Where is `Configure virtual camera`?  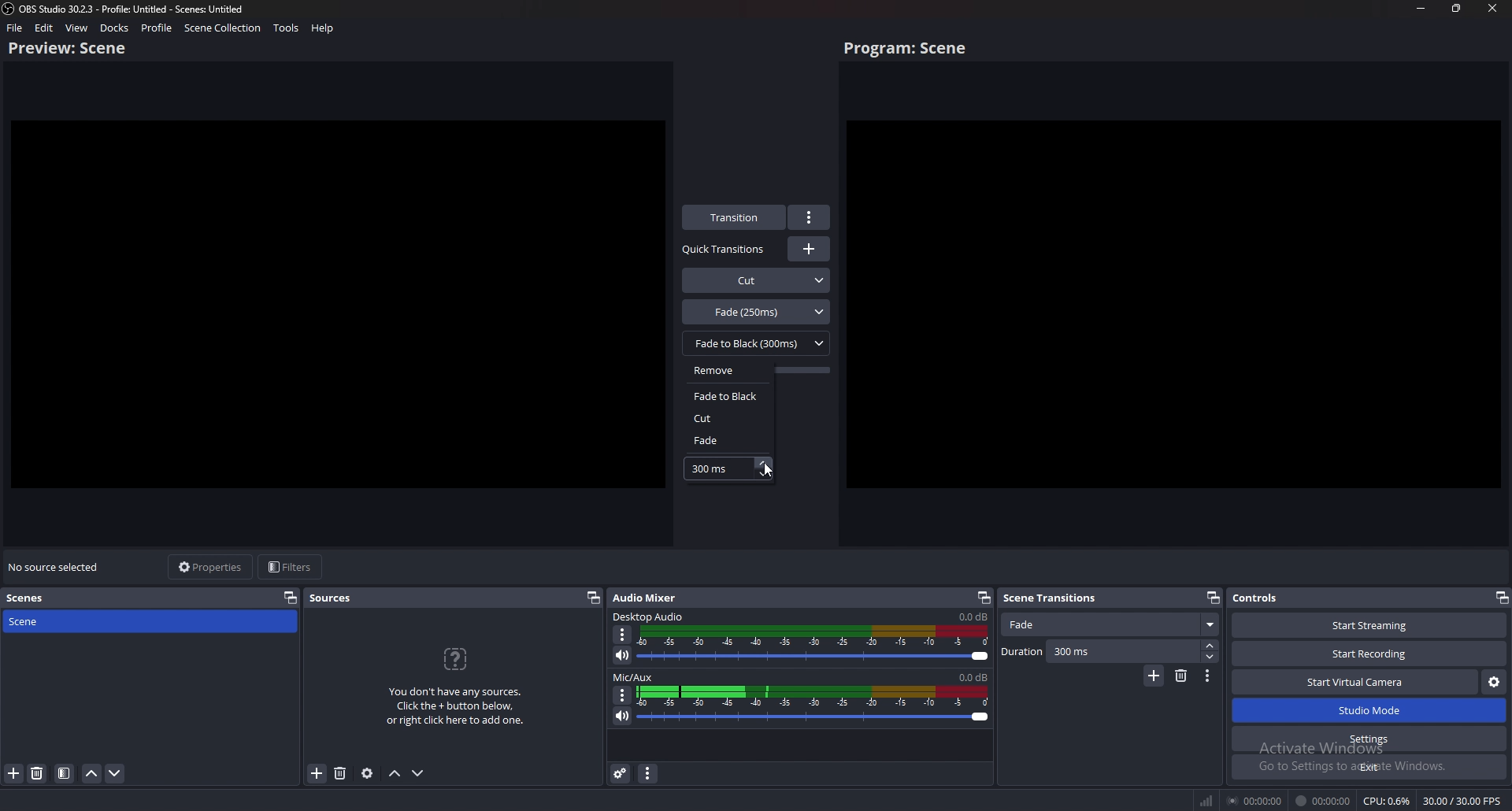
Configure virtual camera is located at coordinates (1493, 683).